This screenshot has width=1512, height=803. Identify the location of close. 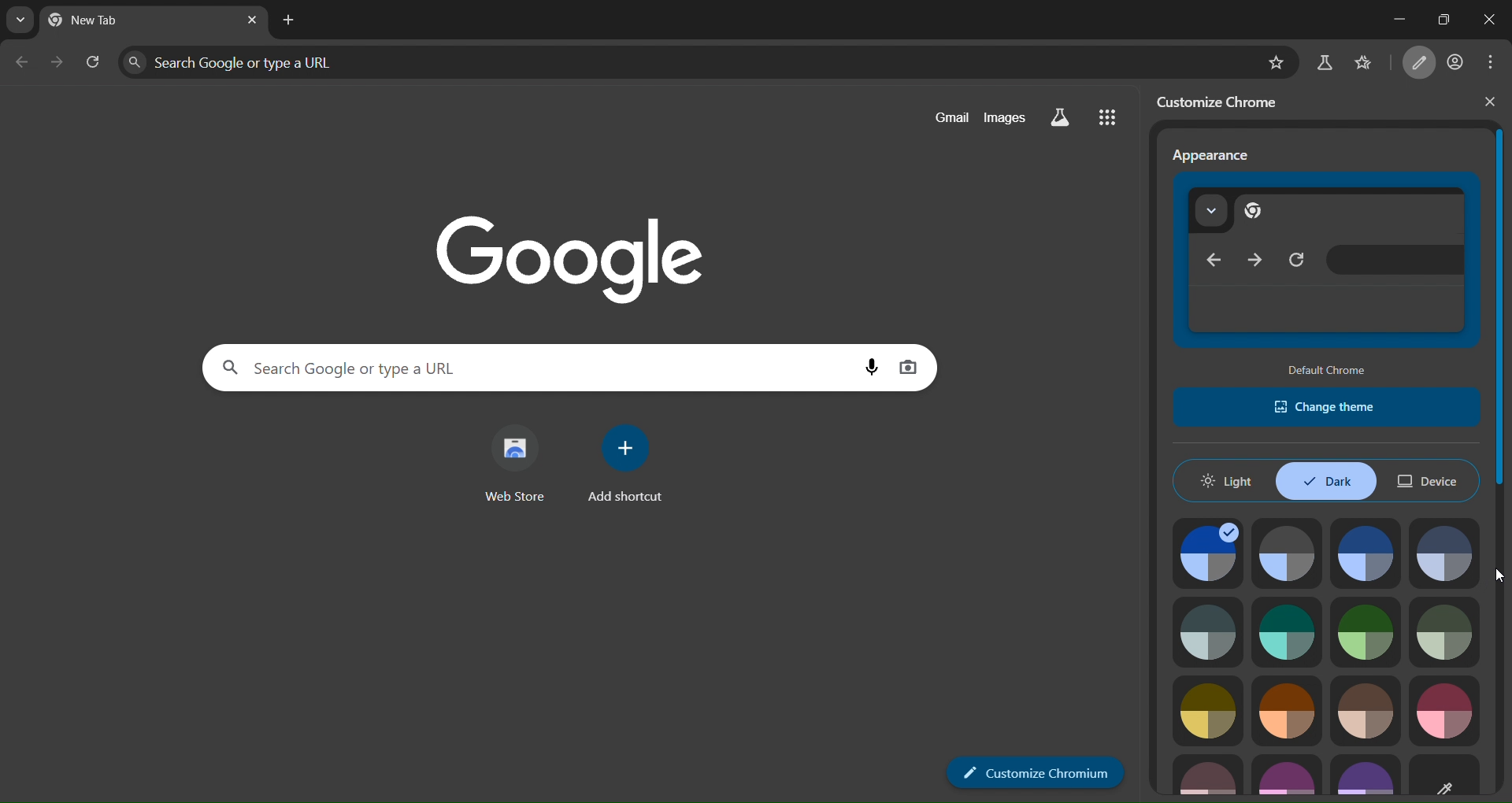
(1490, 102).